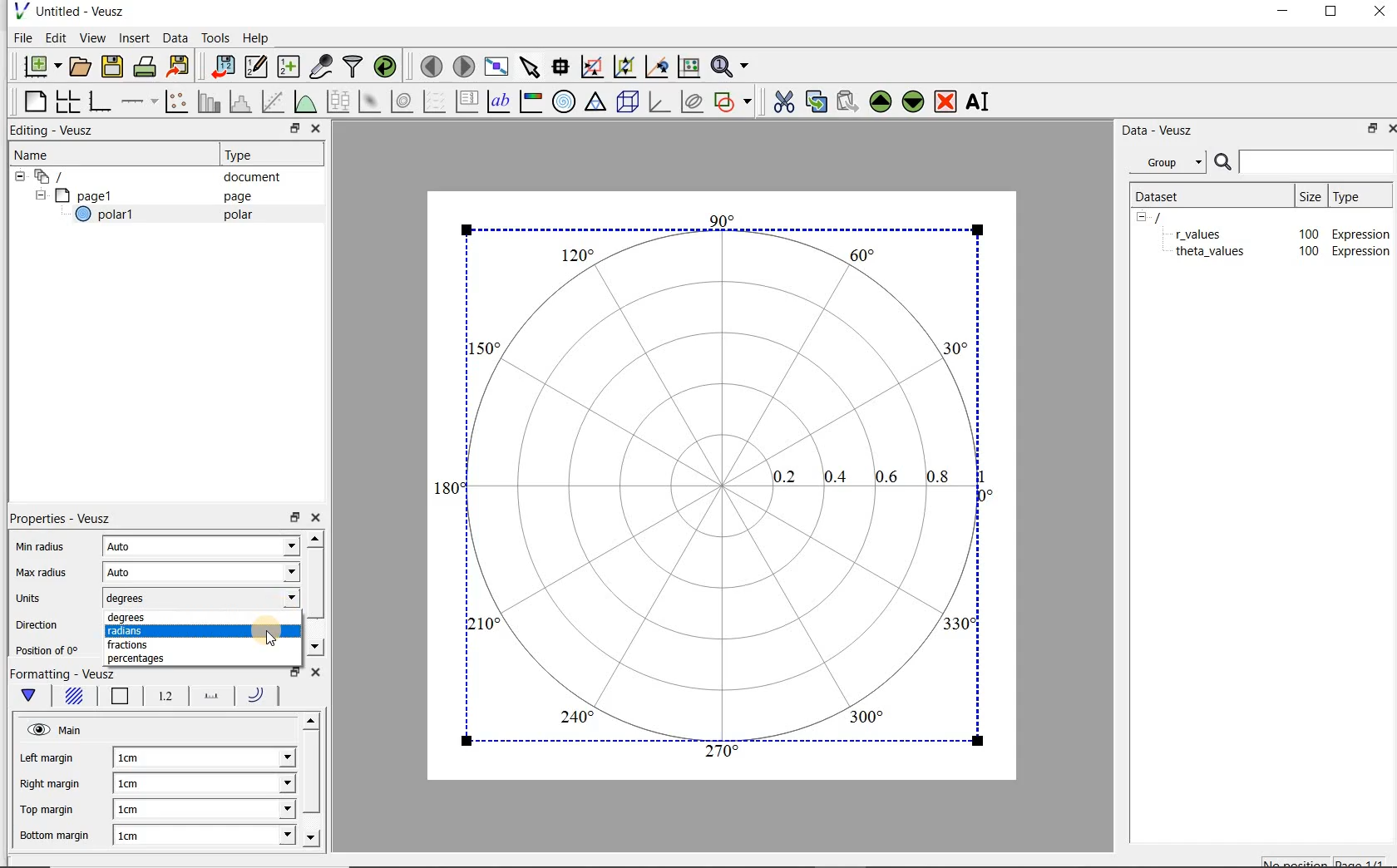 The height and width of the screenshot is (868, 1397). Describe the element at coordinates (47, 757) in the screenshot. I see `Left margin` at that location.